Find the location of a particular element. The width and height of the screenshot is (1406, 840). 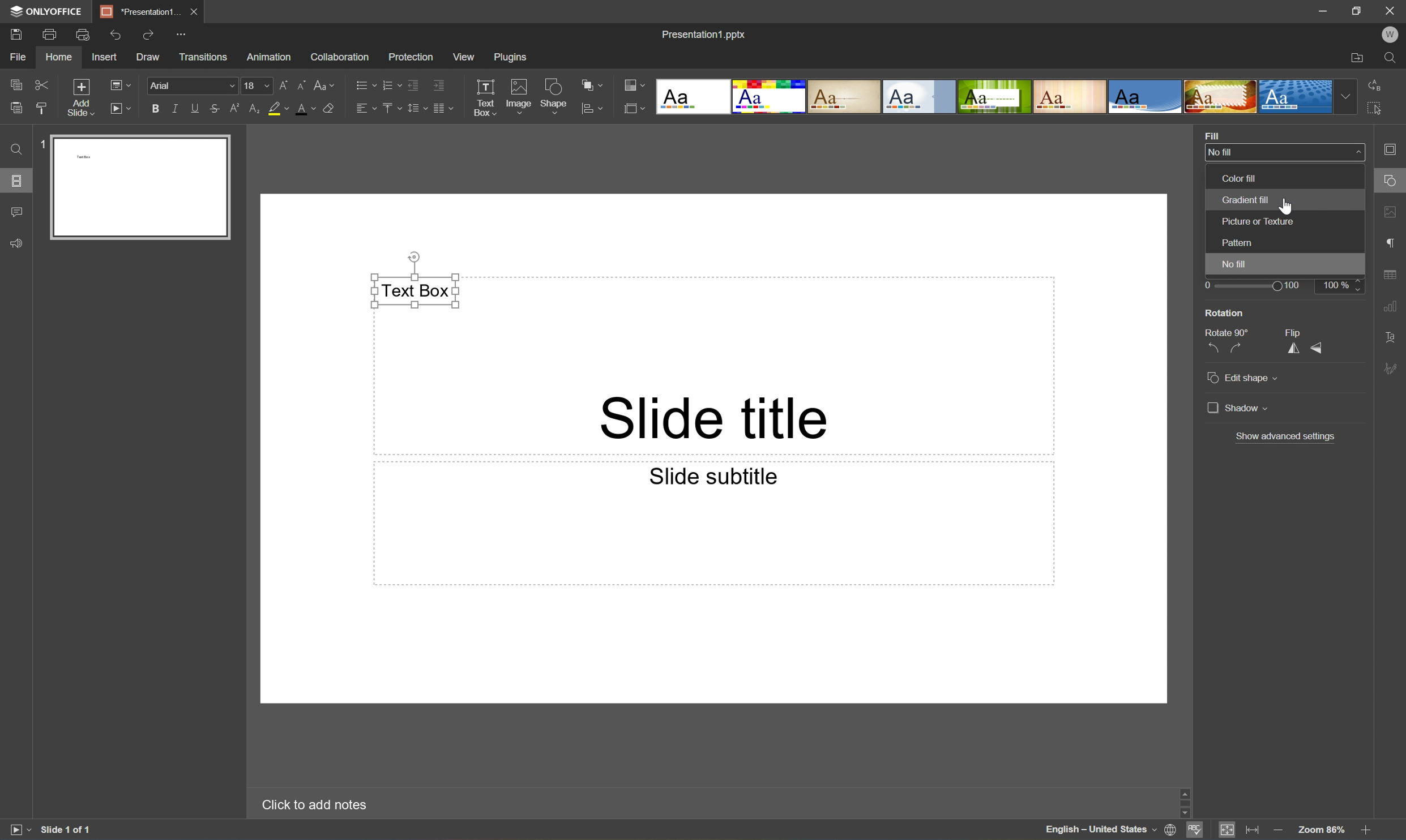

Align shape is located at coordinates (594, 108).